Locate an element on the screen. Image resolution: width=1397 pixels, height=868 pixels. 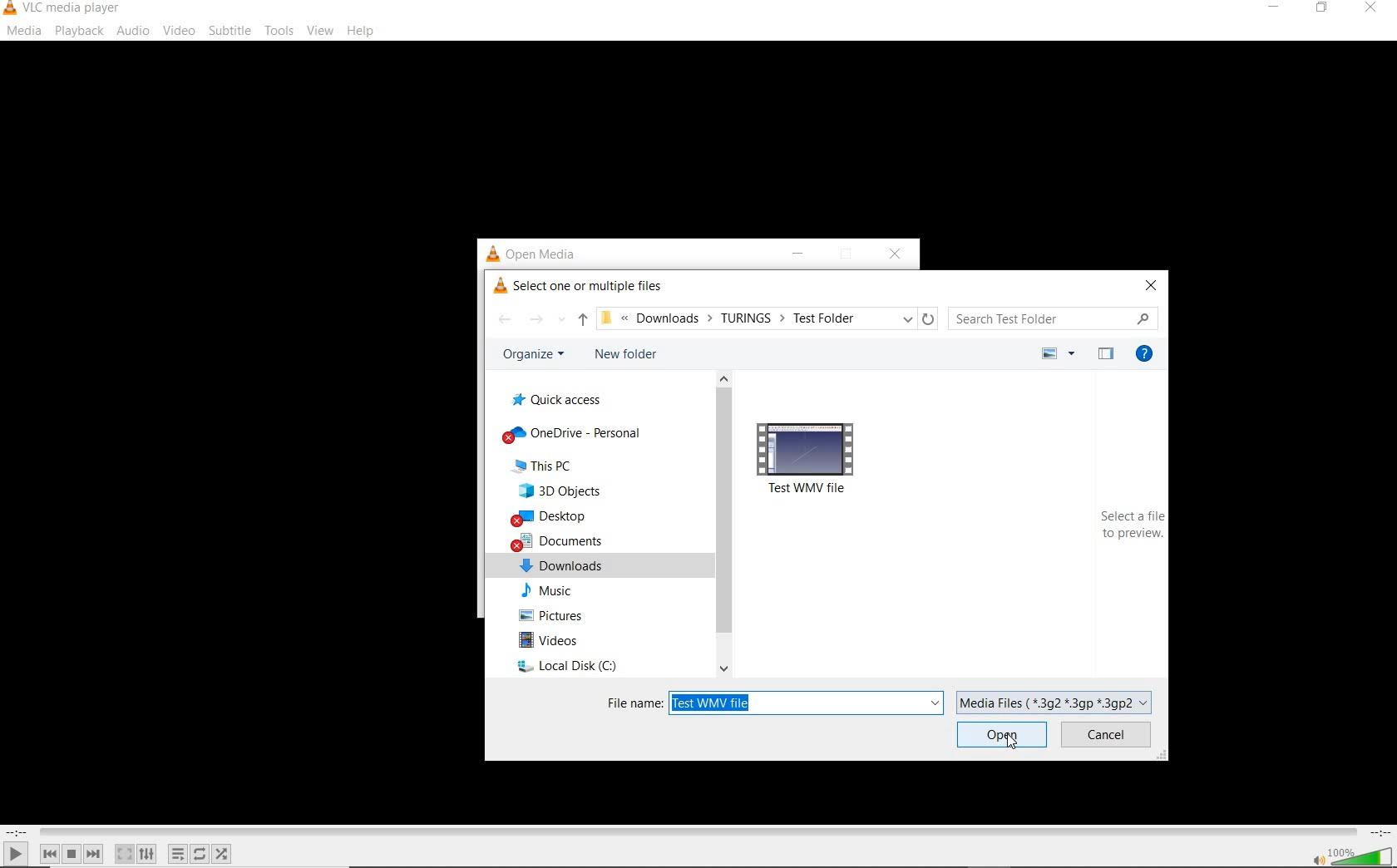
view is located at coordinates (321, 31).